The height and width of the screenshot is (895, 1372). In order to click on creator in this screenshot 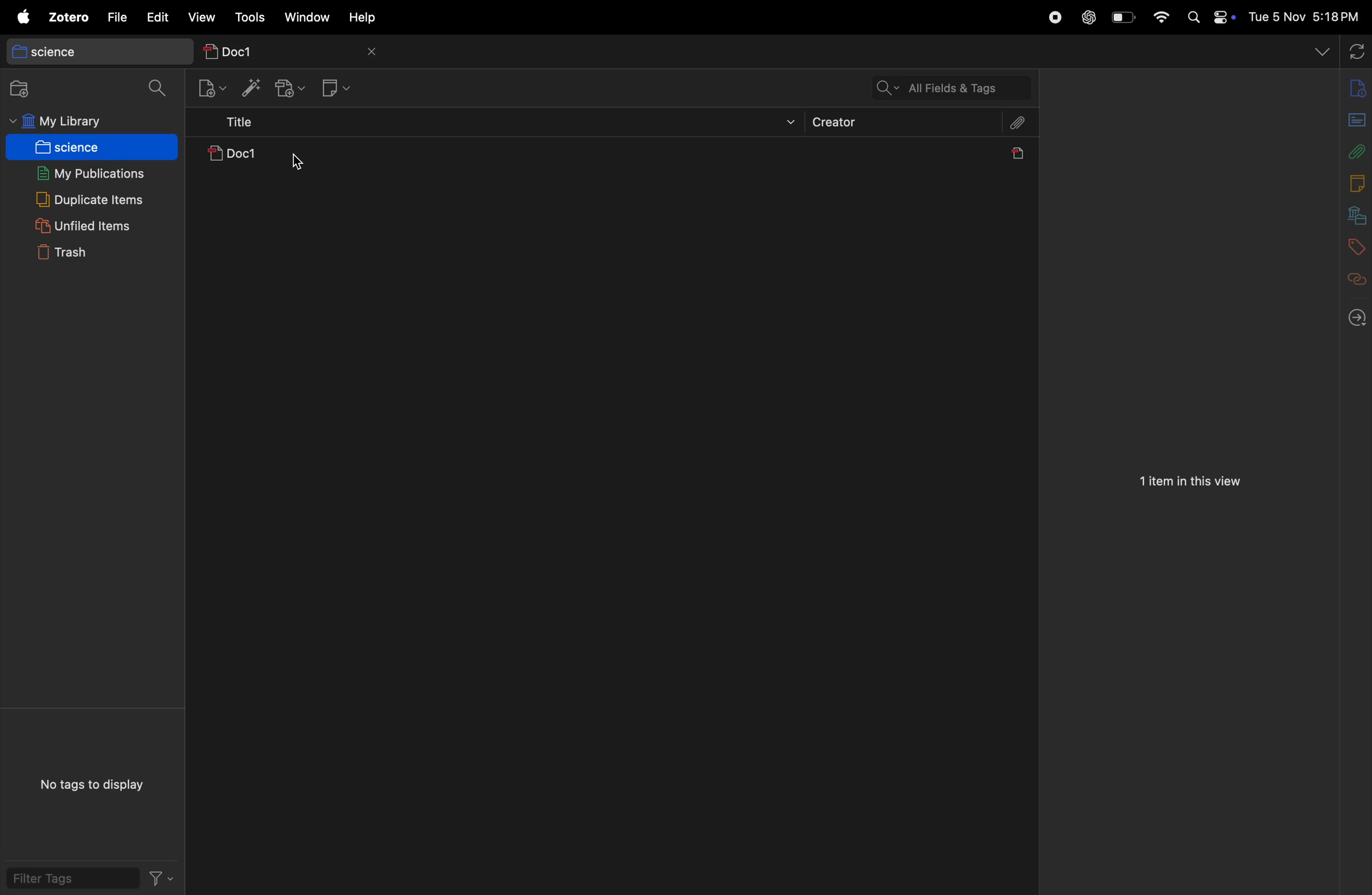, I will do `click(903, 125)`.